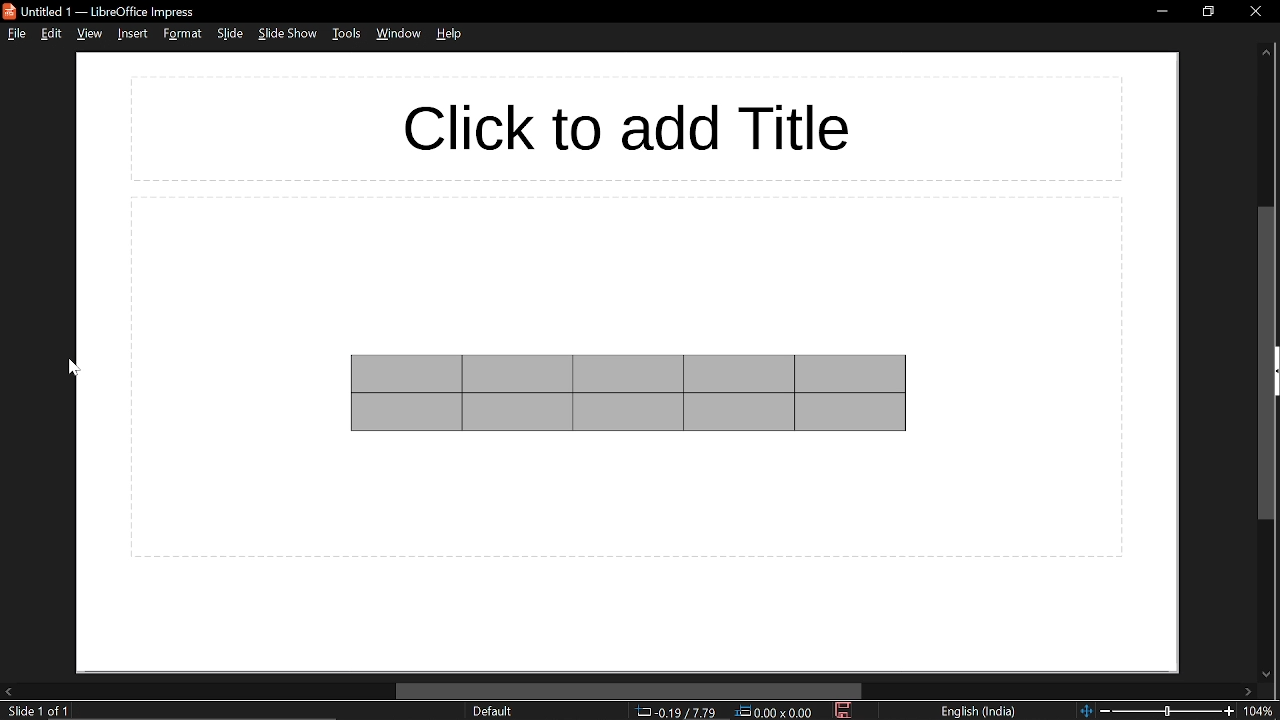  I want to click on close, so click(1250, 12).